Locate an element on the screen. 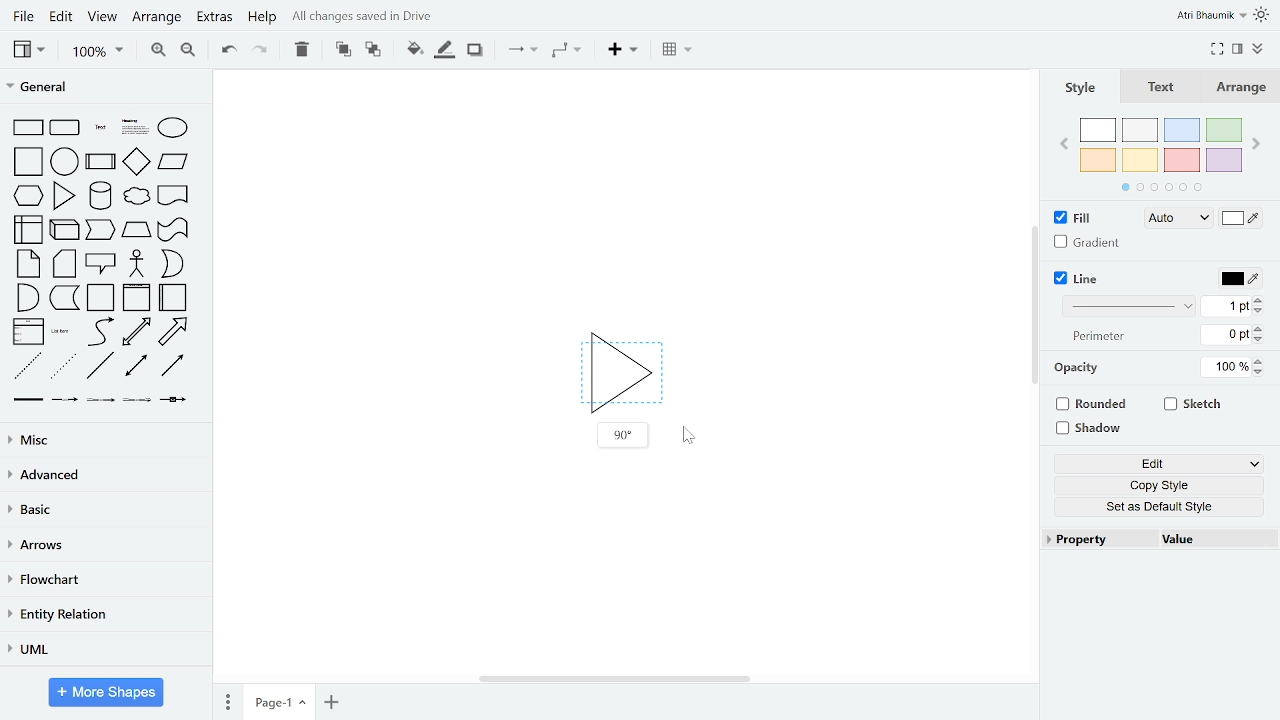 The height and width of the screenshot is (720, 1280). flowchart is located at coordinates (104, 580).